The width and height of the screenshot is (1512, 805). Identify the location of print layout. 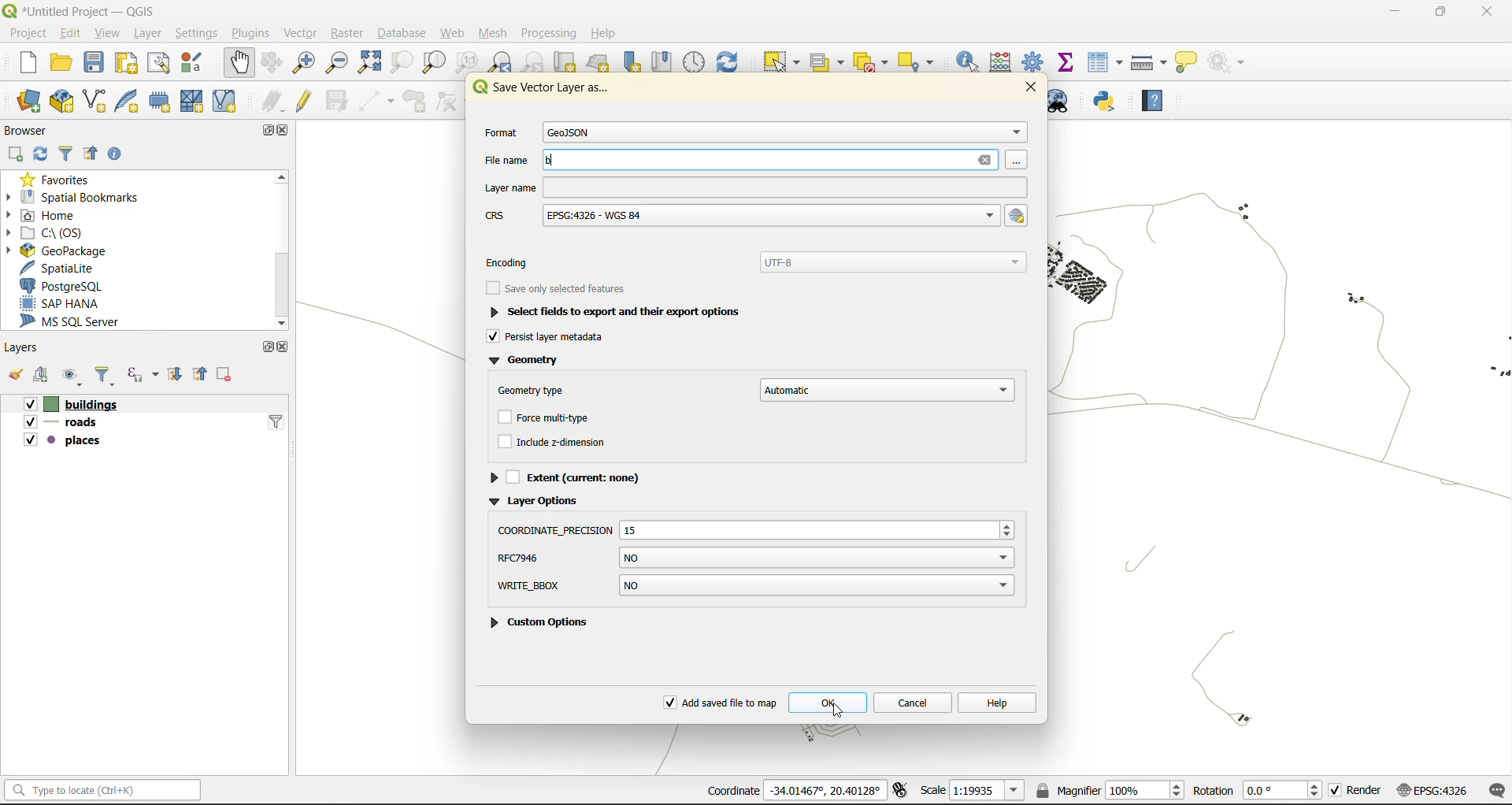
(128, 64).